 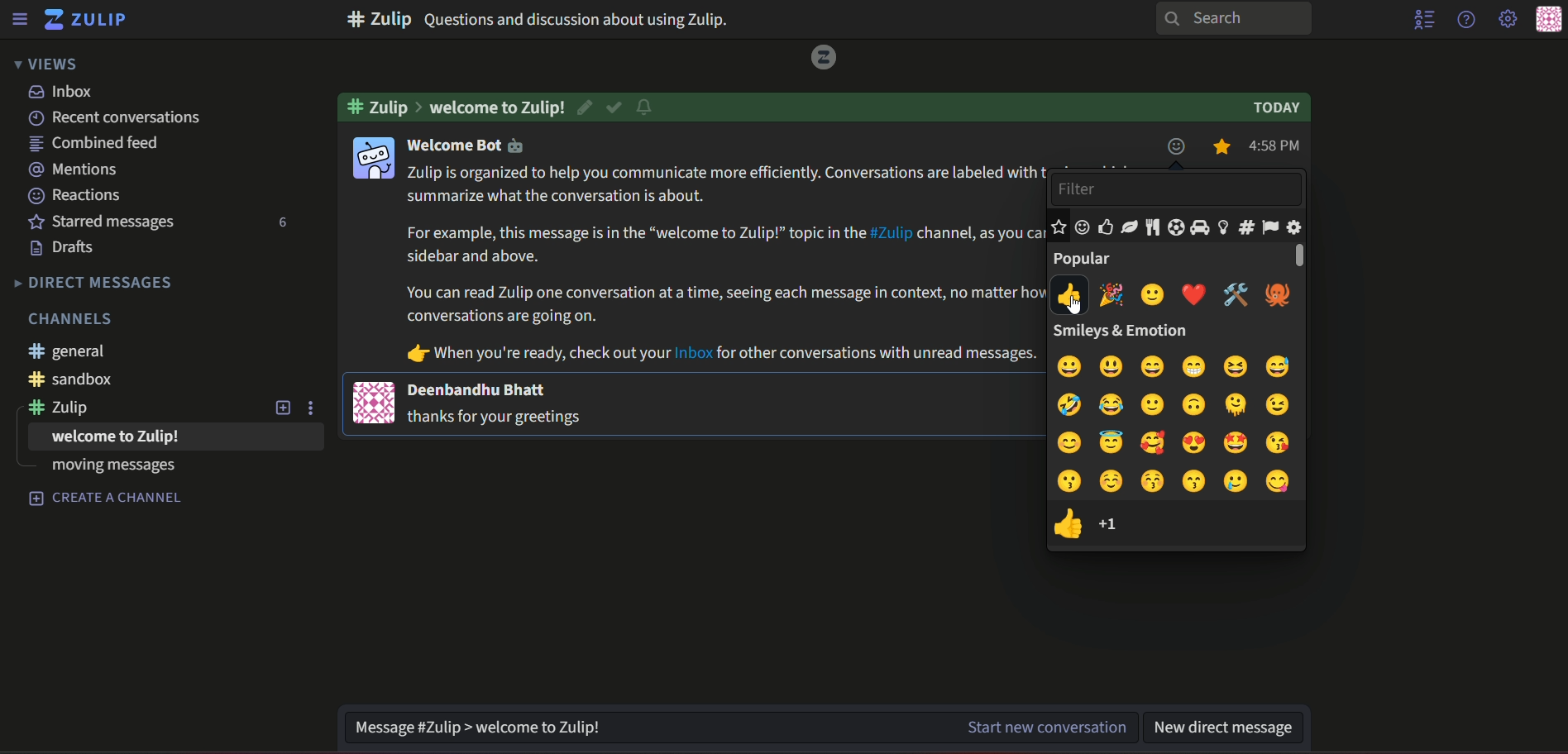 I want to click on New direct message, so click(x=1230, y=725).